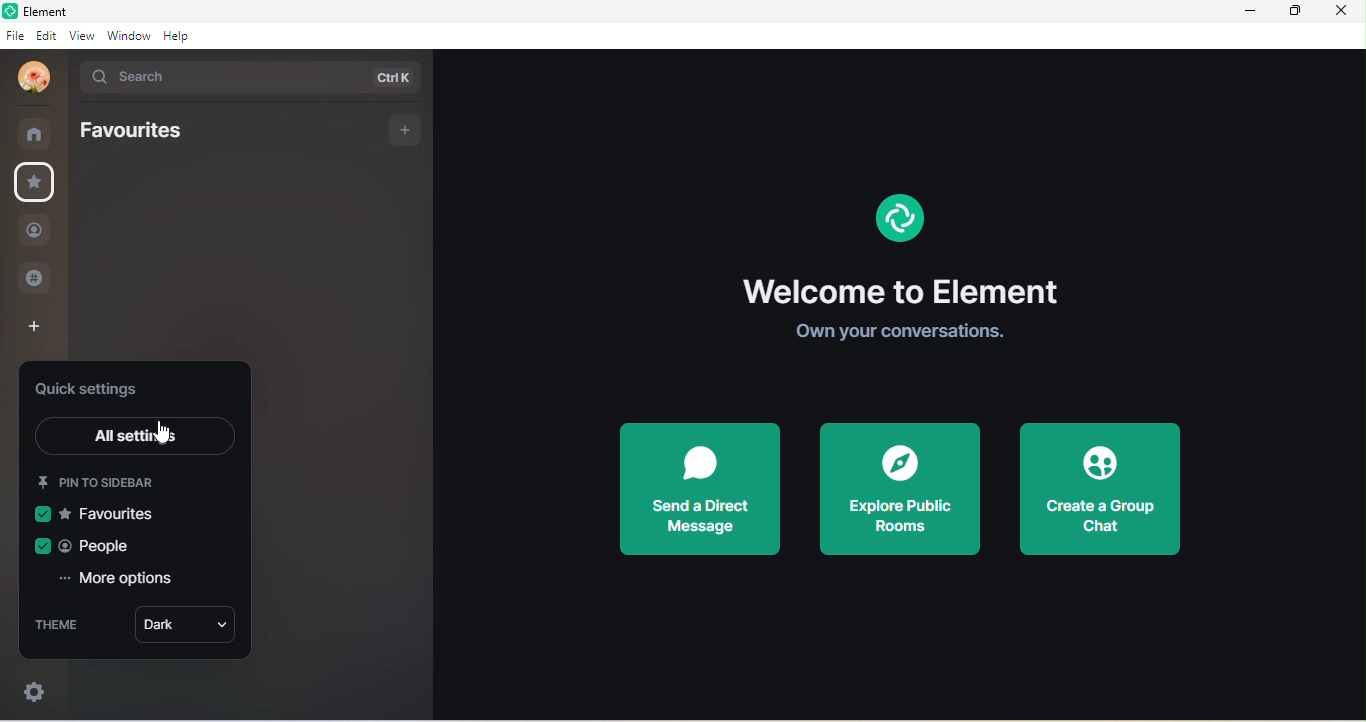  What do you see at coordinates (897, 217) in the screenshot?
I see `element logo` at bounding box center [897, 217].